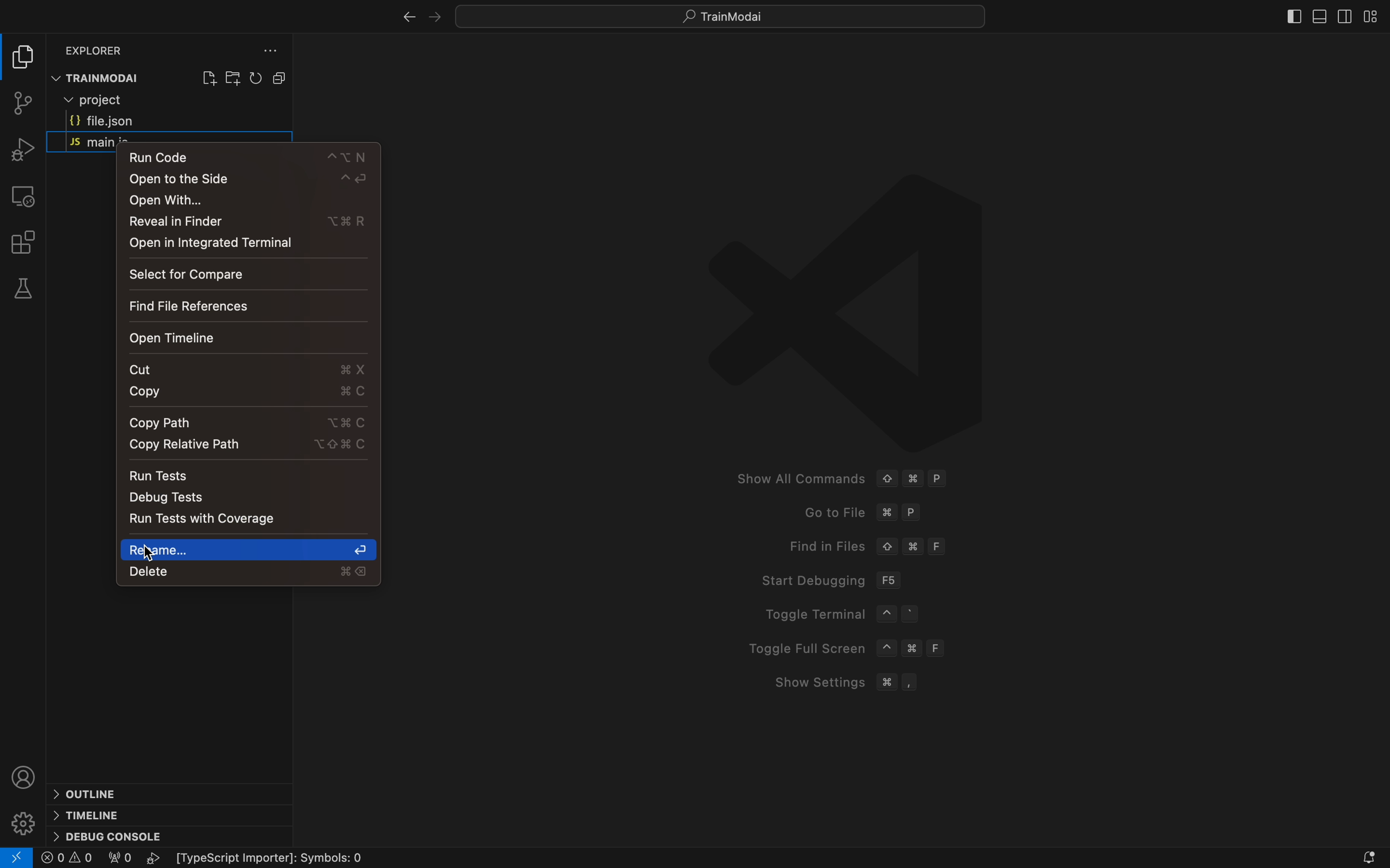 The width and height of the screenshot is (1390, 868). What do you see at coordinates (94, 794) in the screenshot?
I see `outline` at bounding box center [94, 794].